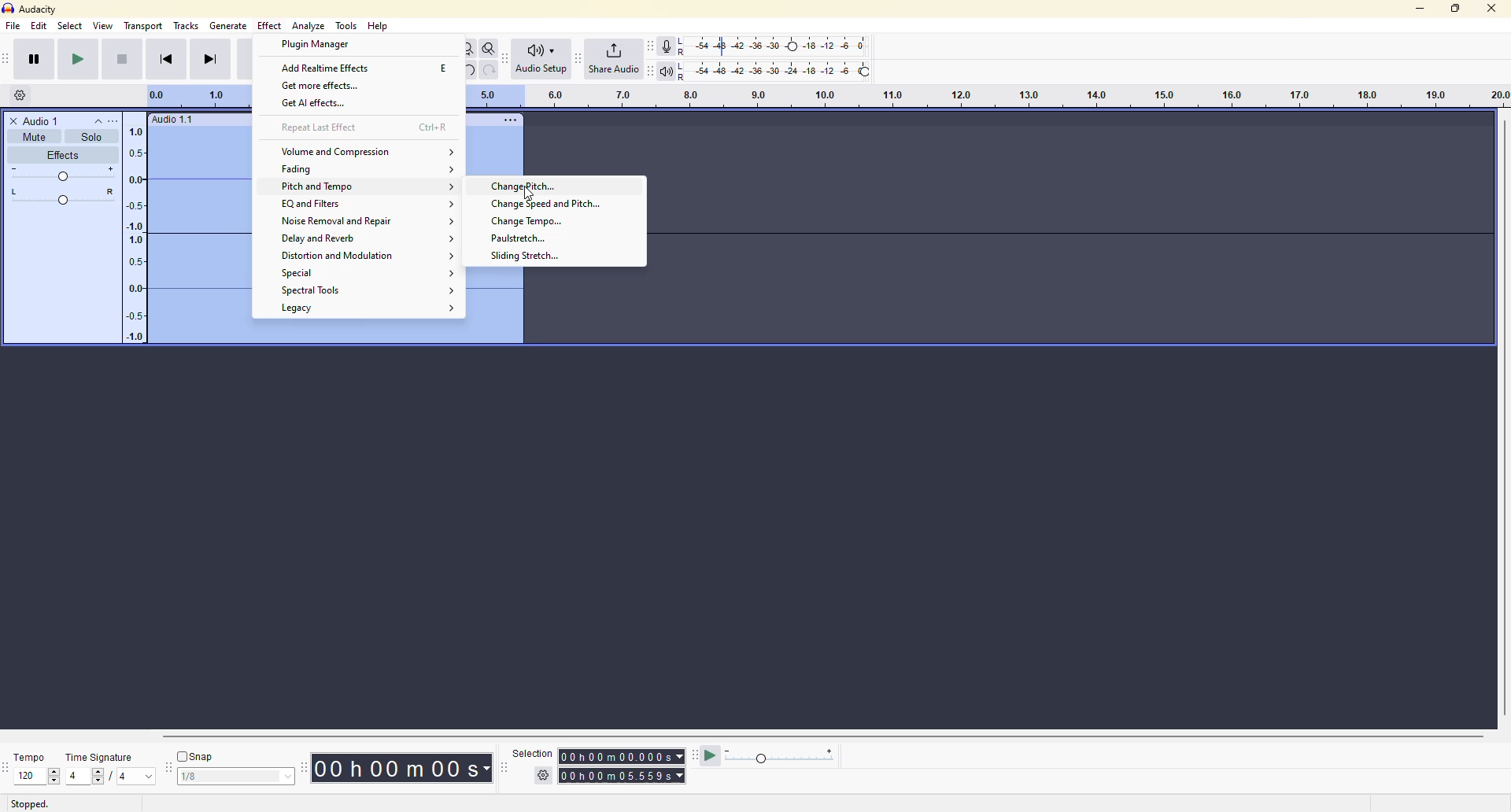  Describe the element at coordinates (271, 25) in the screenshot. I see `effect` at that location.